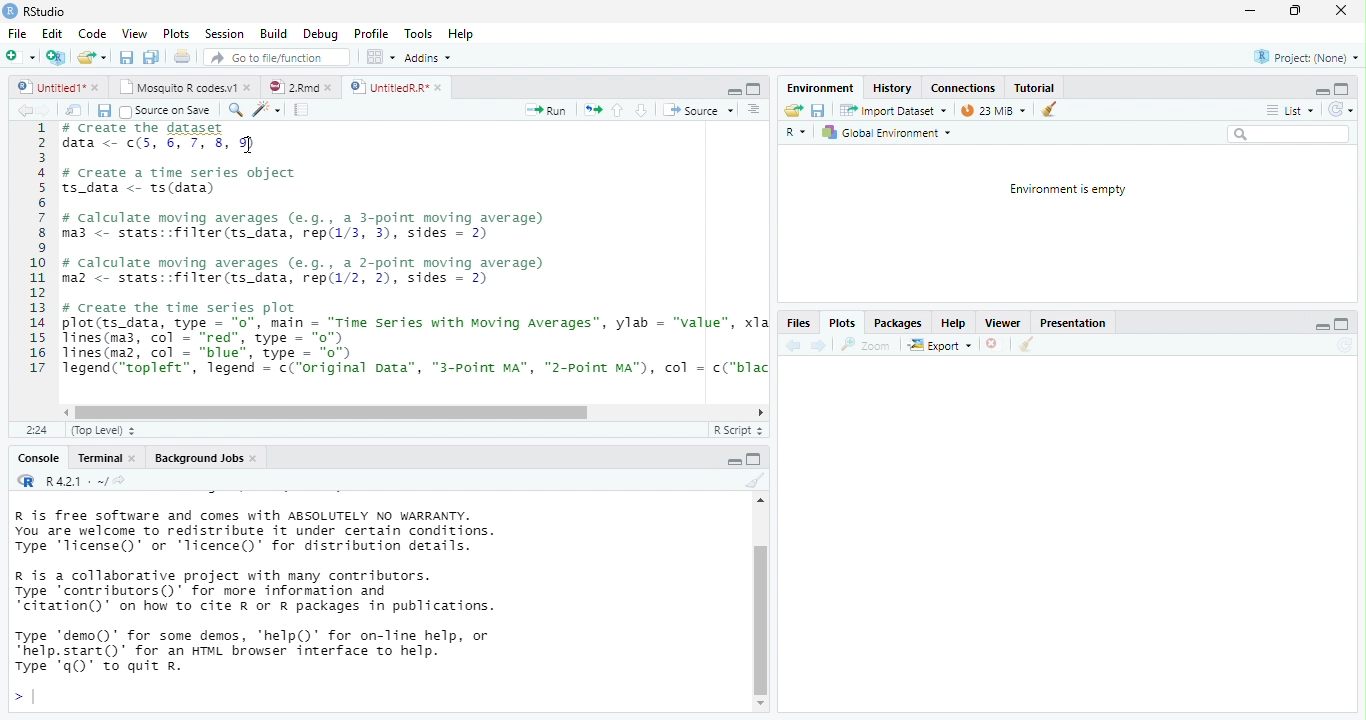 This screenshot has height=720, width=1366. I want to click on Files, so click(797, 324).